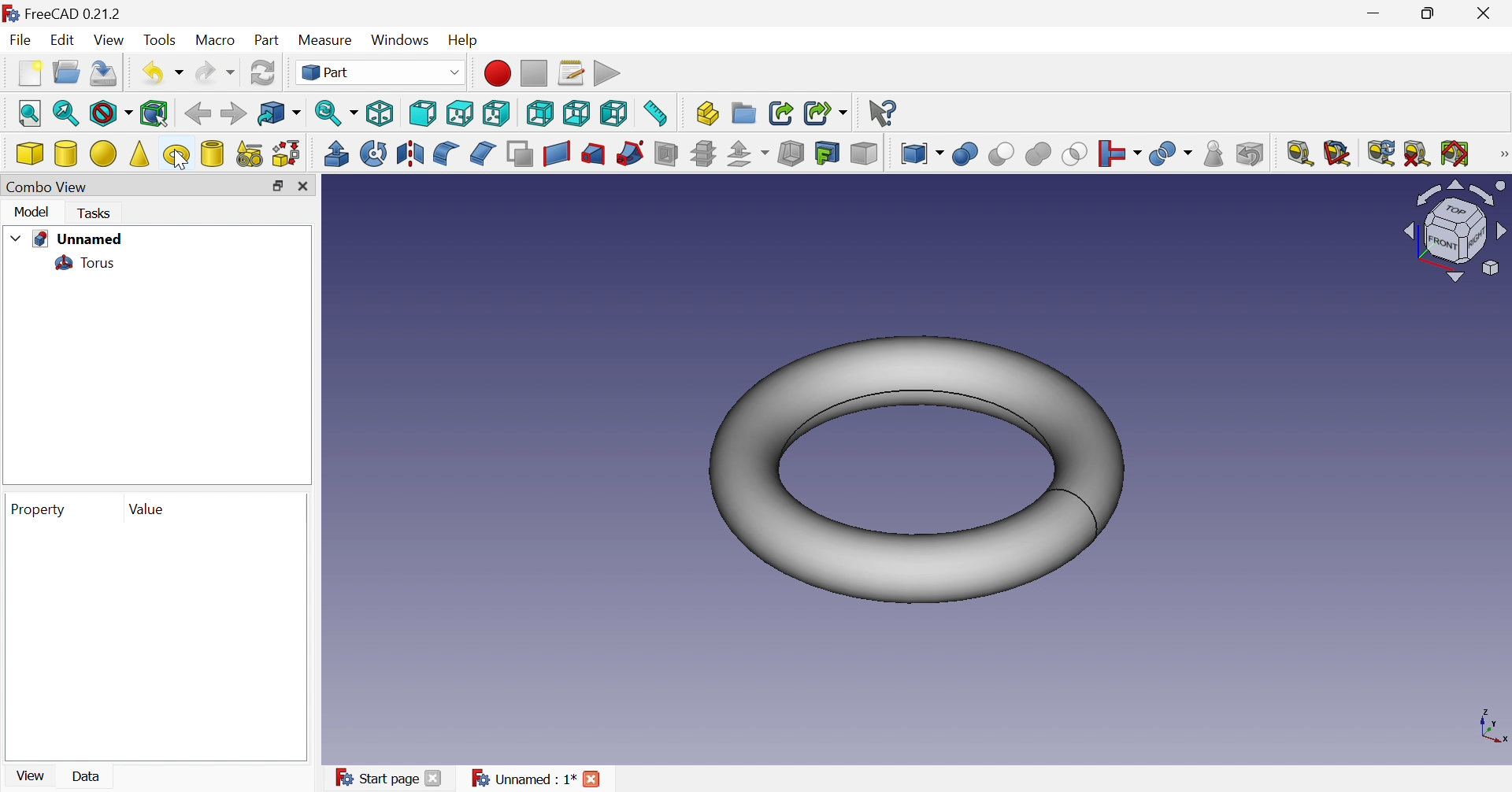 This screenshot has height=792, width=1512. Describe the element at coordinates (1076, 154) in the screenshot. I see `Intersection` at that location.